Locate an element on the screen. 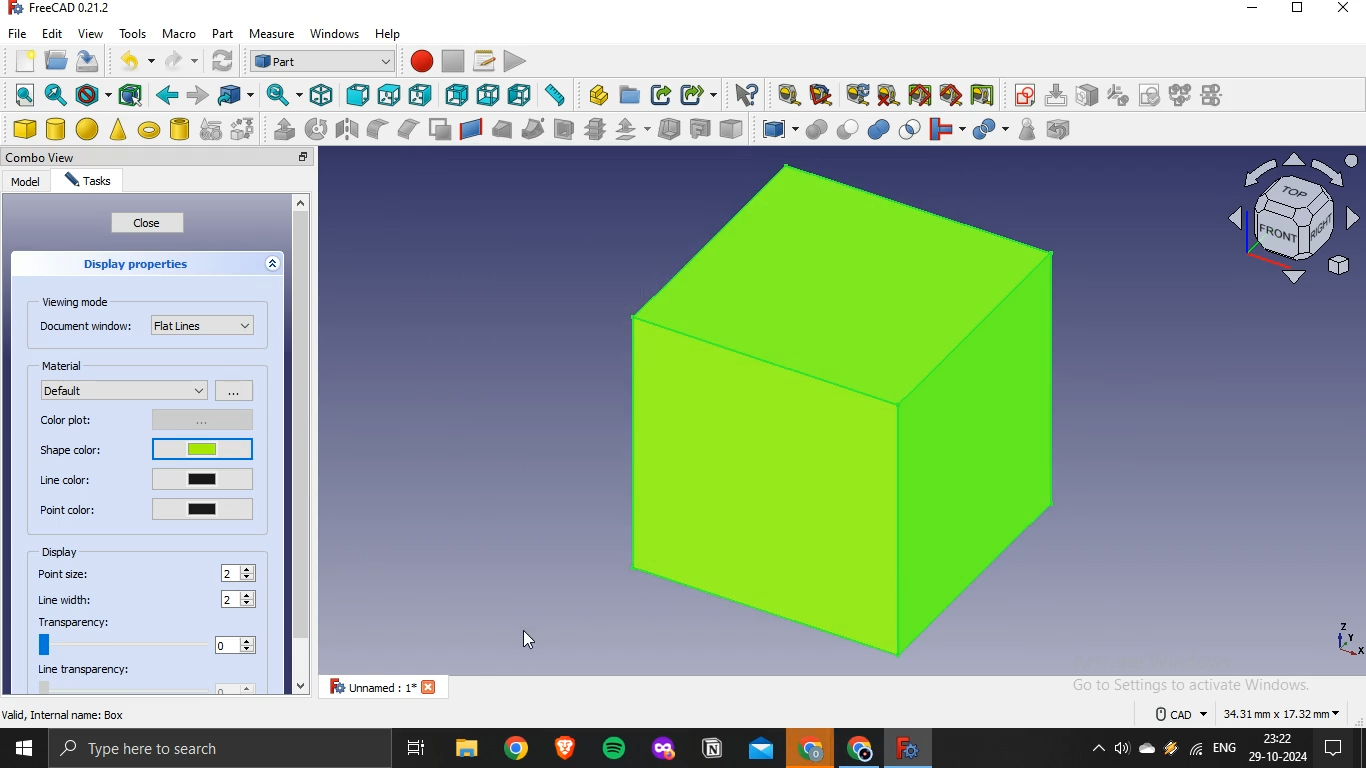  create projection on surface is located at coordinates (699, 128).